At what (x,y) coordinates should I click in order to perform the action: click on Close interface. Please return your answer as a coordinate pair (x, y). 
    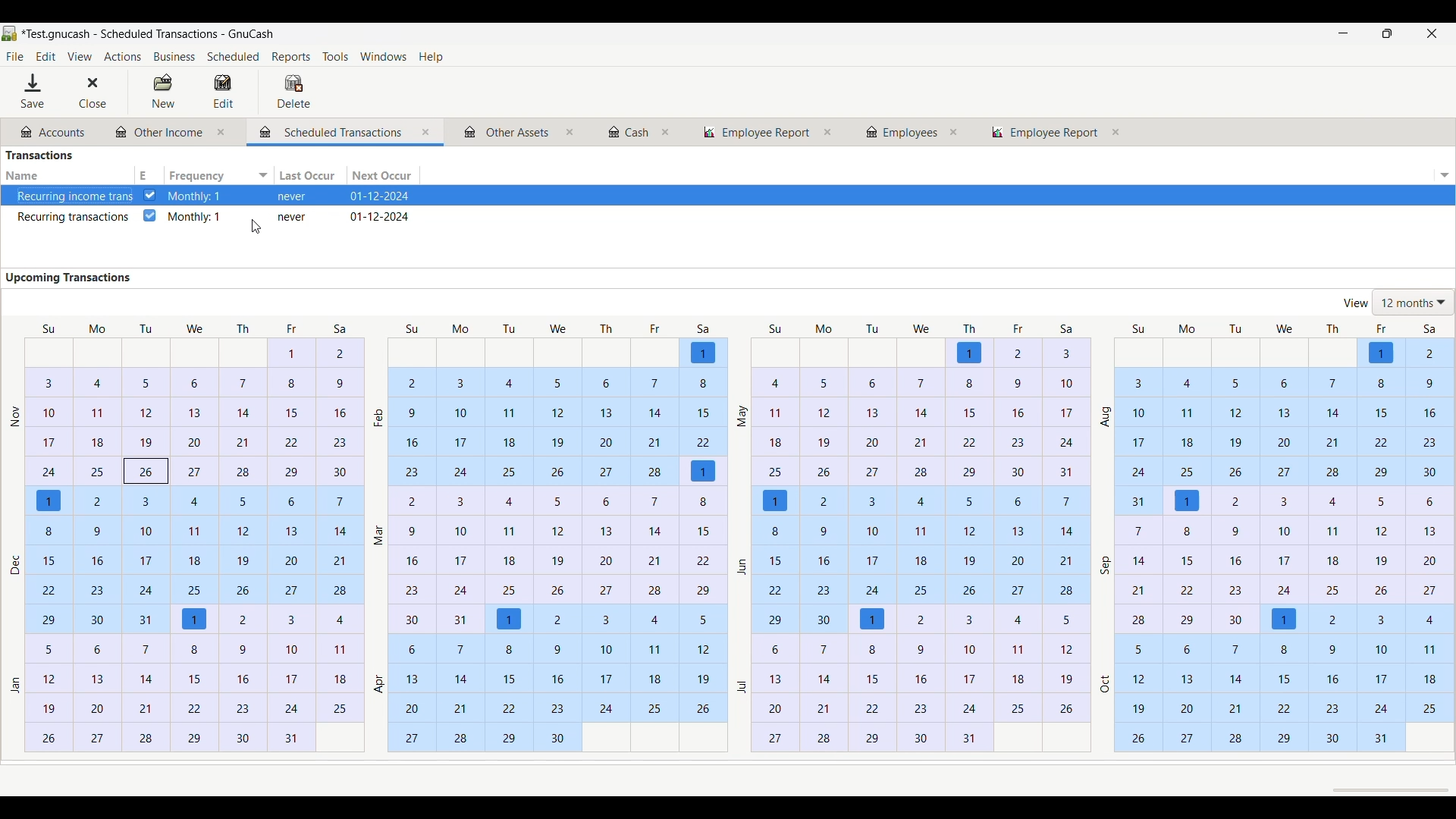
    Looking at the image, I should click on (1429, 35).